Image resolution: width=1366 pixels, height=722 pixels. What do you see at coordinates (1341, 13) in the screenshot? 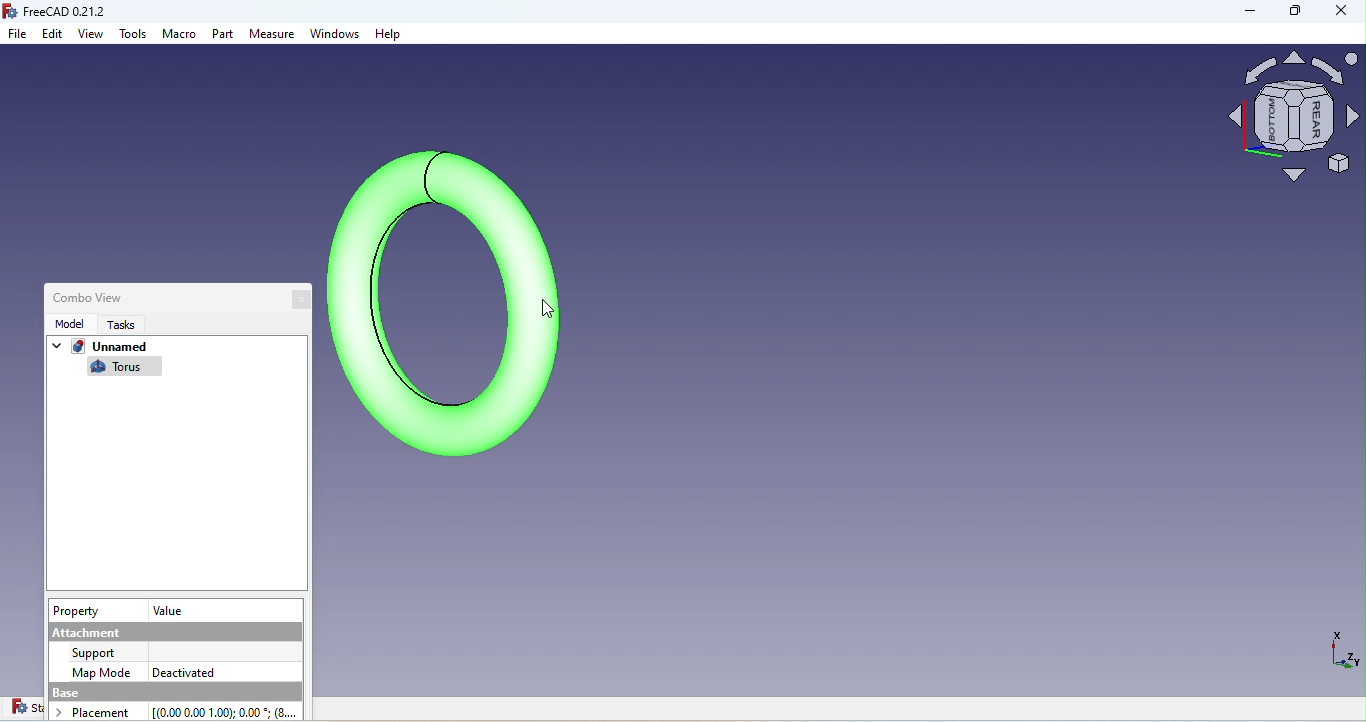
I see `Close` at bounding box center [1341, 13].